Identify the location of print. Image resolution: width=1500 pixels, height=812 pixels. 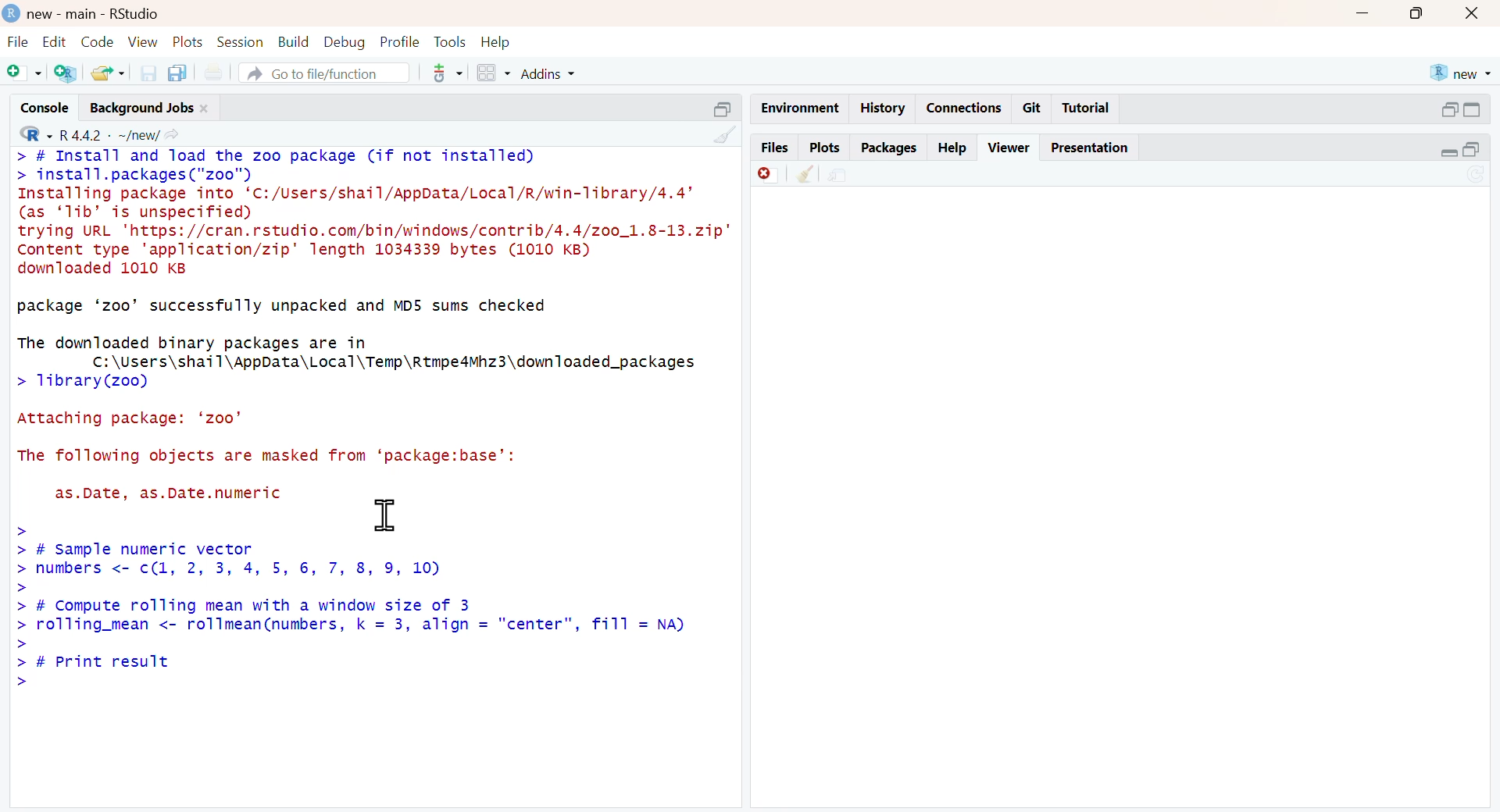
(216, 72).